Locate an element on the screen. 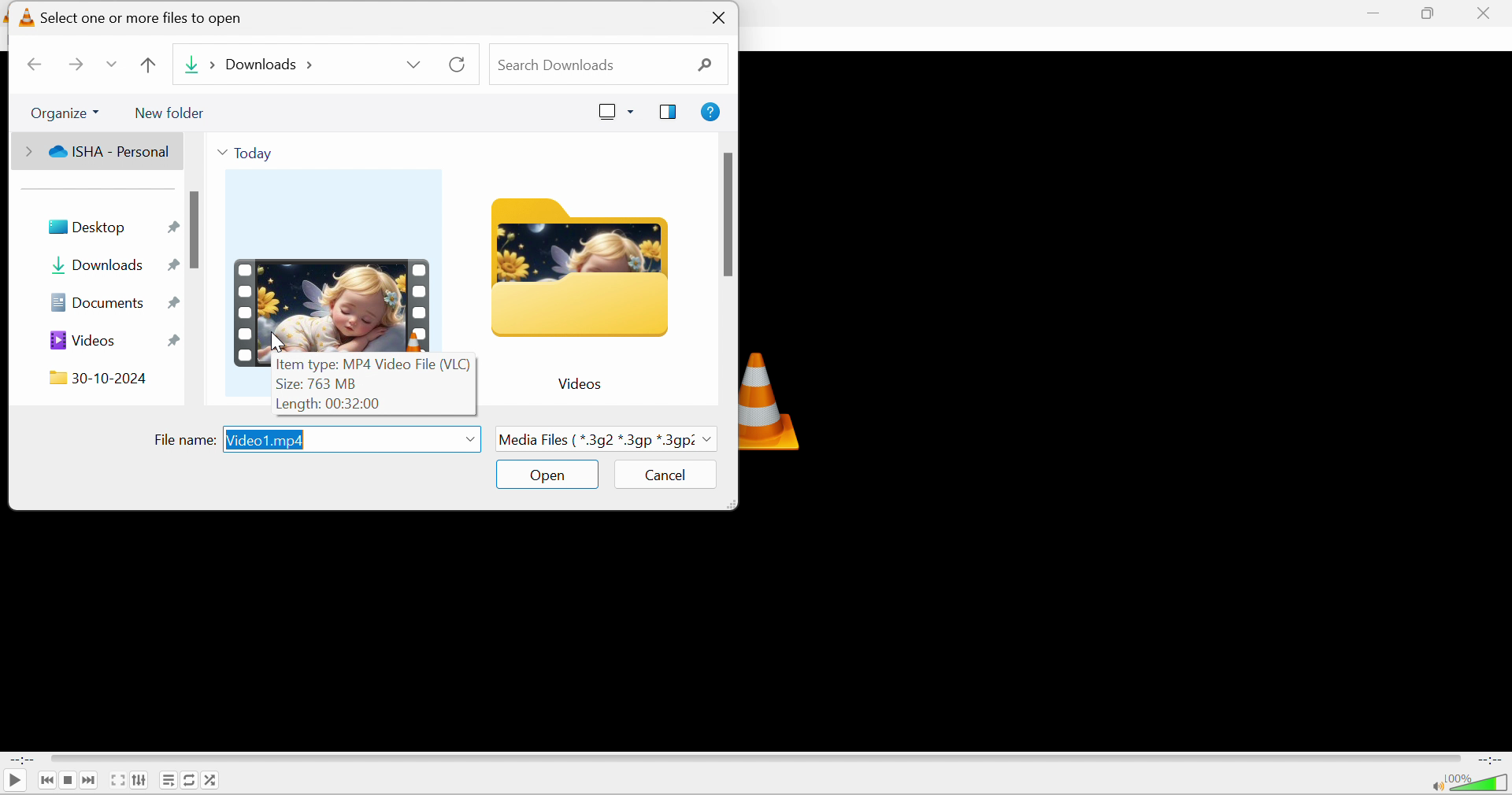  Next media in the playlist, skip forward when held is located at coordinates (90, 779).